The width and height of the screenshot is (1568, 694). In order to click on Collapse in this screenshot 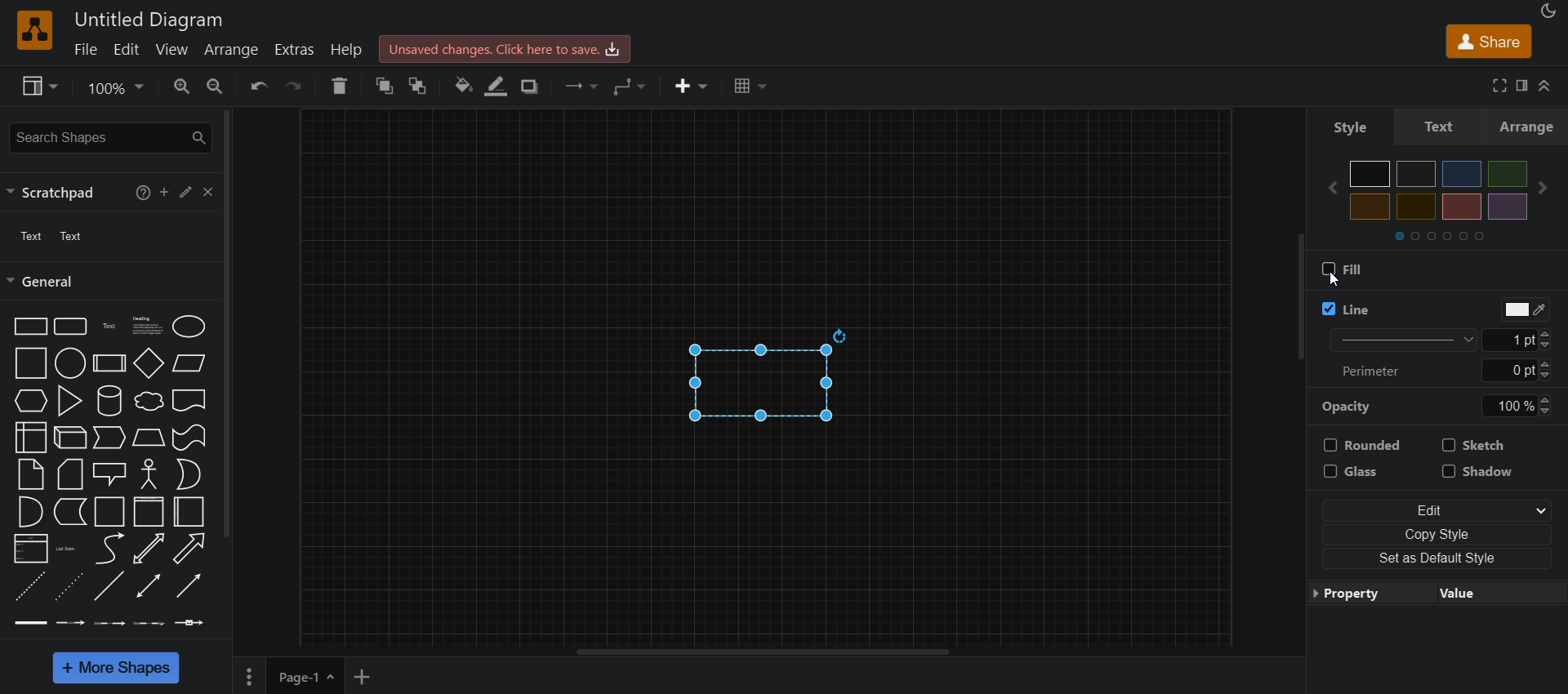, I will do `click(1547, 86)`.